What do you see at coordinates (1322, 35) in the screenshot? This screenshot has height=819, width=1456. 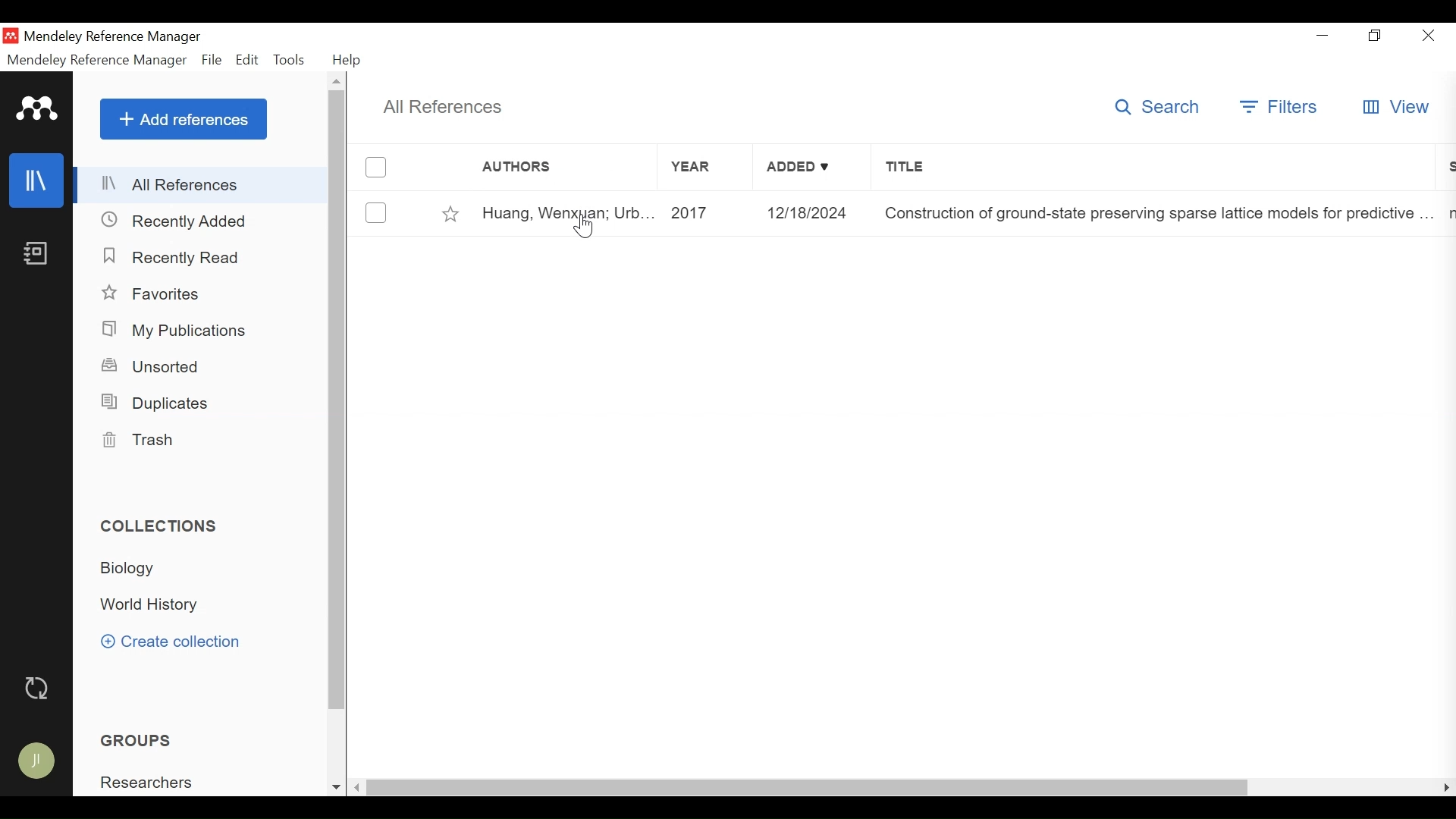 I see `minimize` at bounding box center [1322, 35].